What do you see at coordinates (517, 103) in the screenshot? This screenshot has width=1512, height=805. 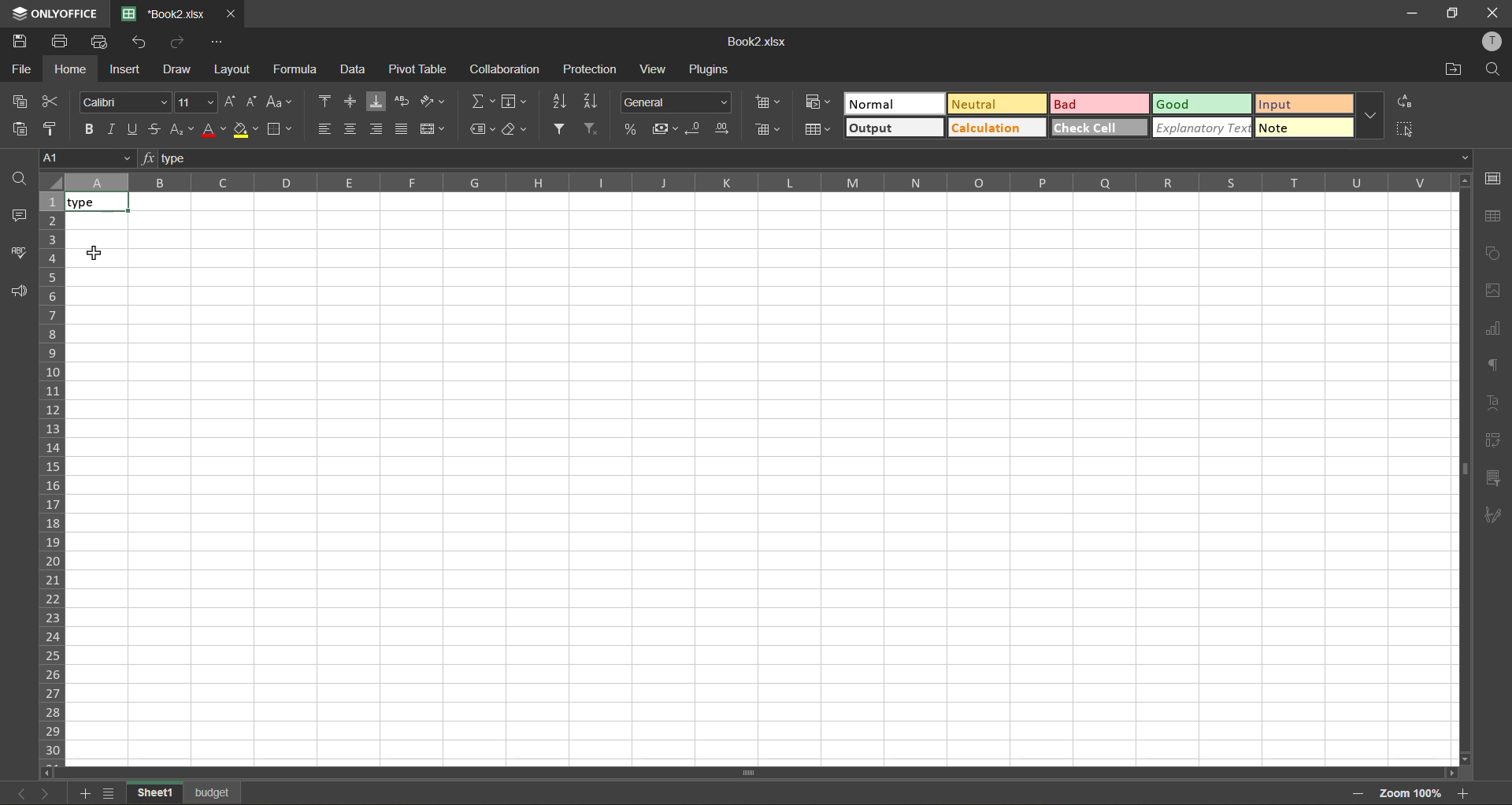 I see `fields` at bounding box center [517, 103].